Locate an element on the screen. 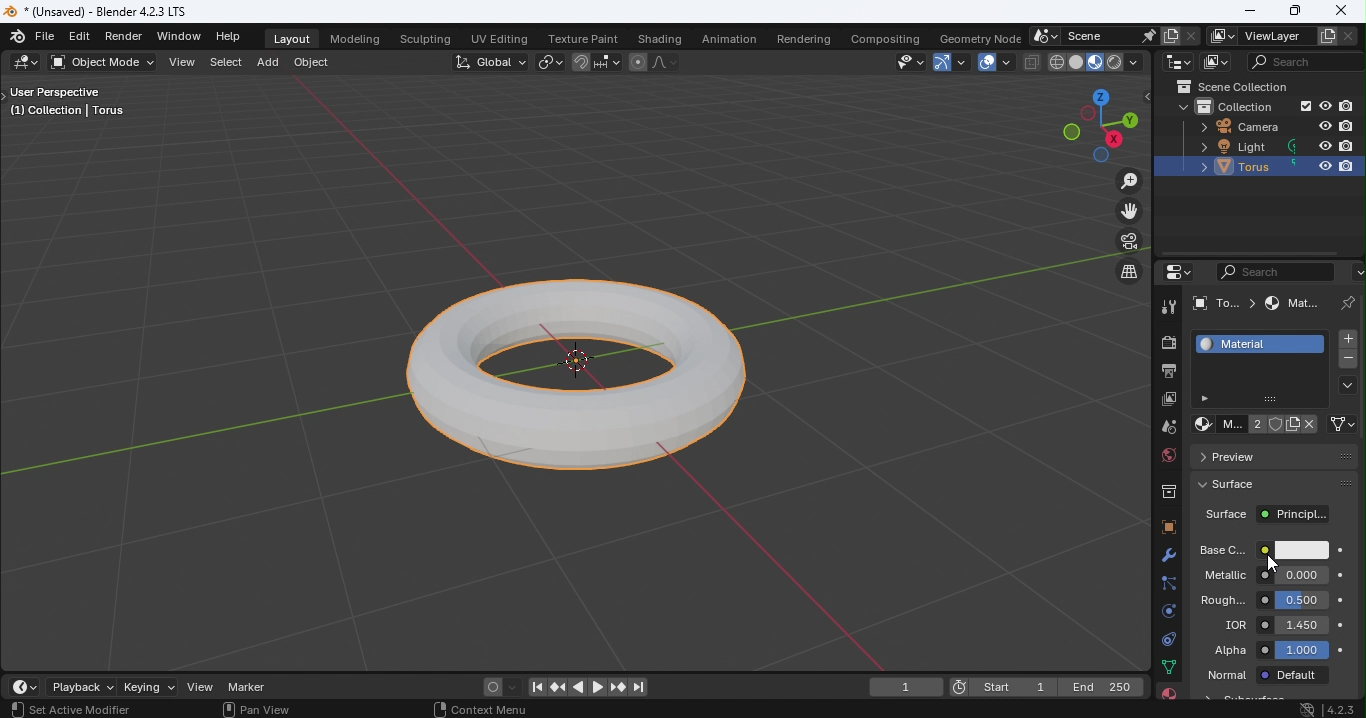 The height and width of the screenshot is (718, 1366). Move the view is located at coordinates (1128, 210).